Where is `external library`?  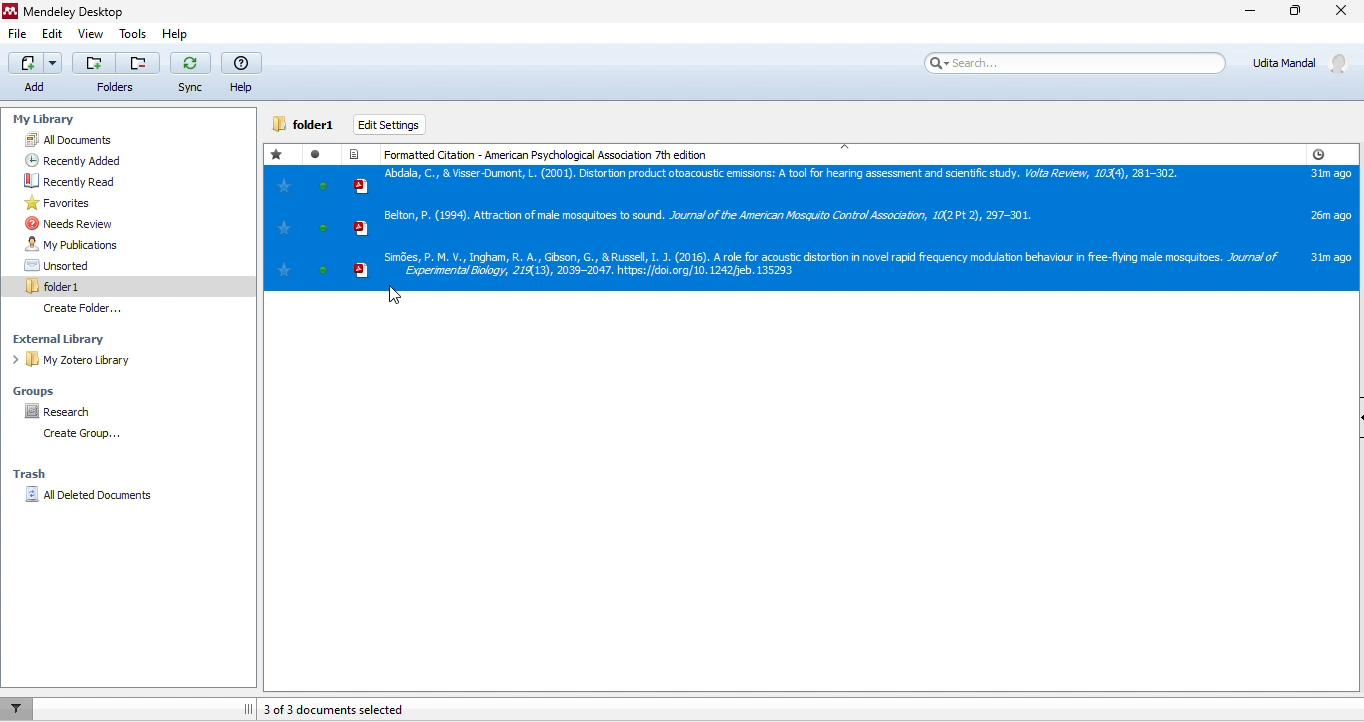
external library is located at coordinates (89, 339).